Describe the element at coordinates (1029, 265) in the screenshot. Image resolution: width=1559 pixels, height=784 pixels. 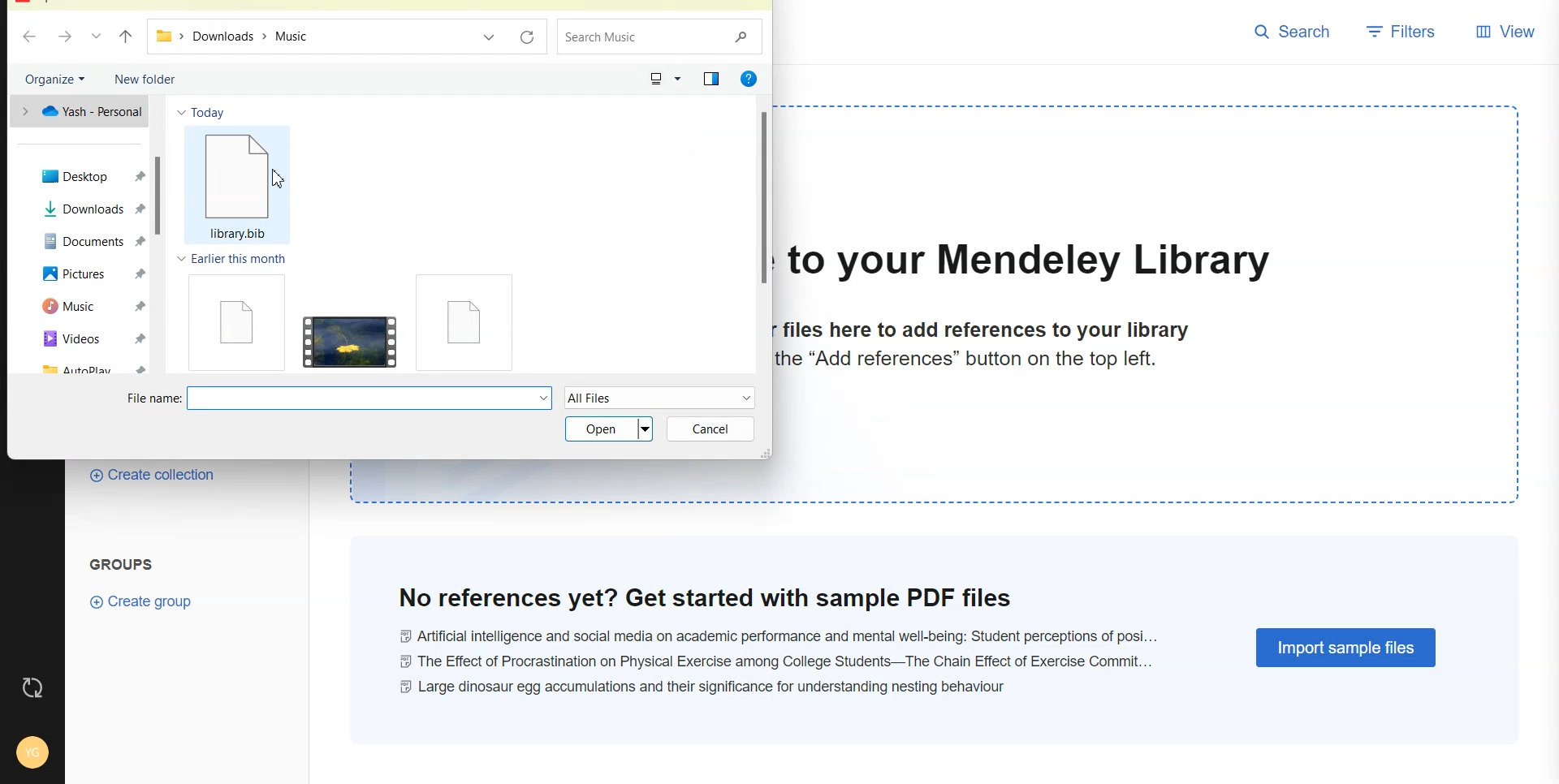
I see ` to your Mendeley Library` at that location.